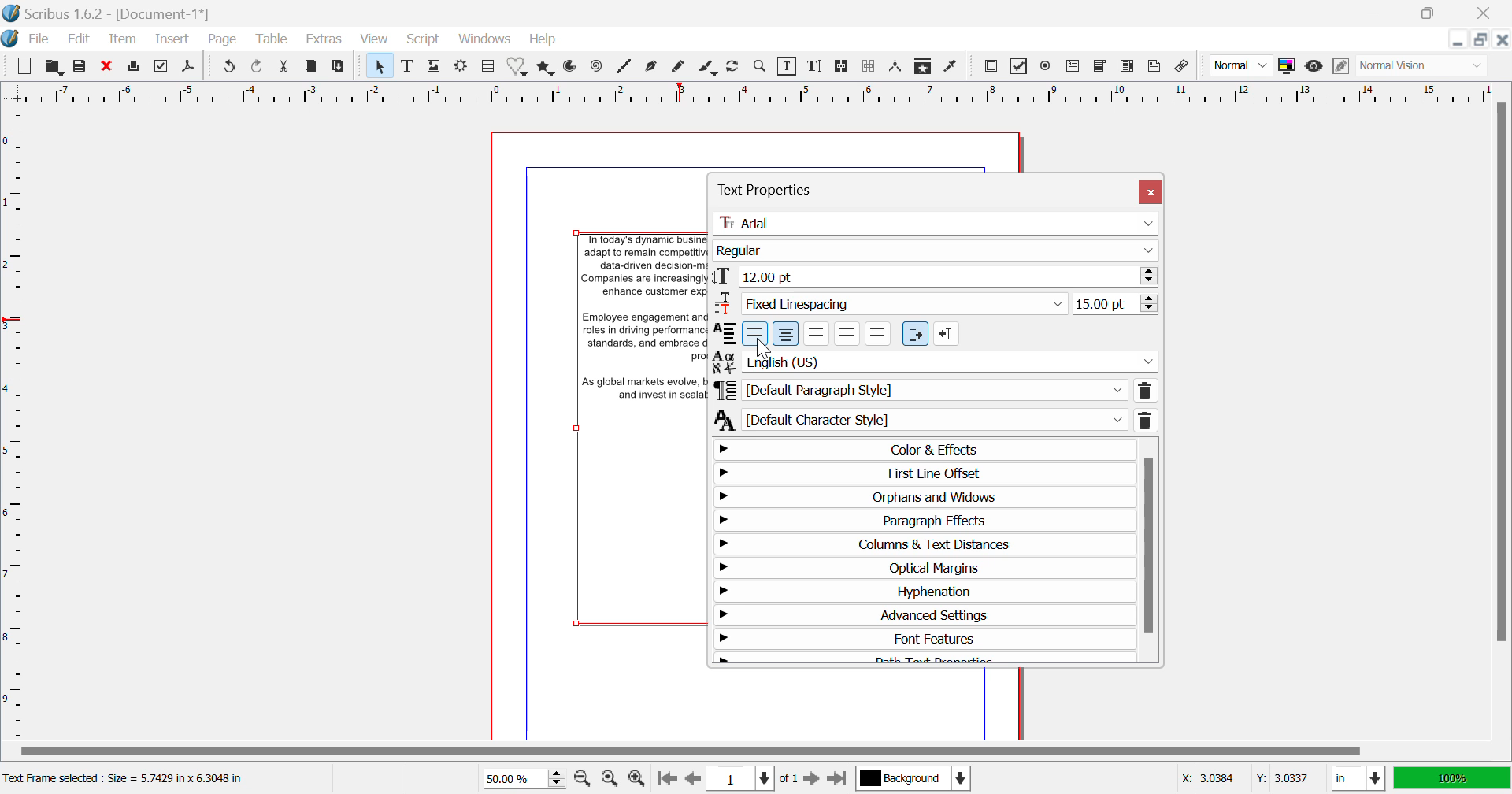 The height and width of the screenshot is (794, 1512). Describe the element at coordinates (1045, 66) in the screenshot. I see `Pdf Radio Button` at that location.